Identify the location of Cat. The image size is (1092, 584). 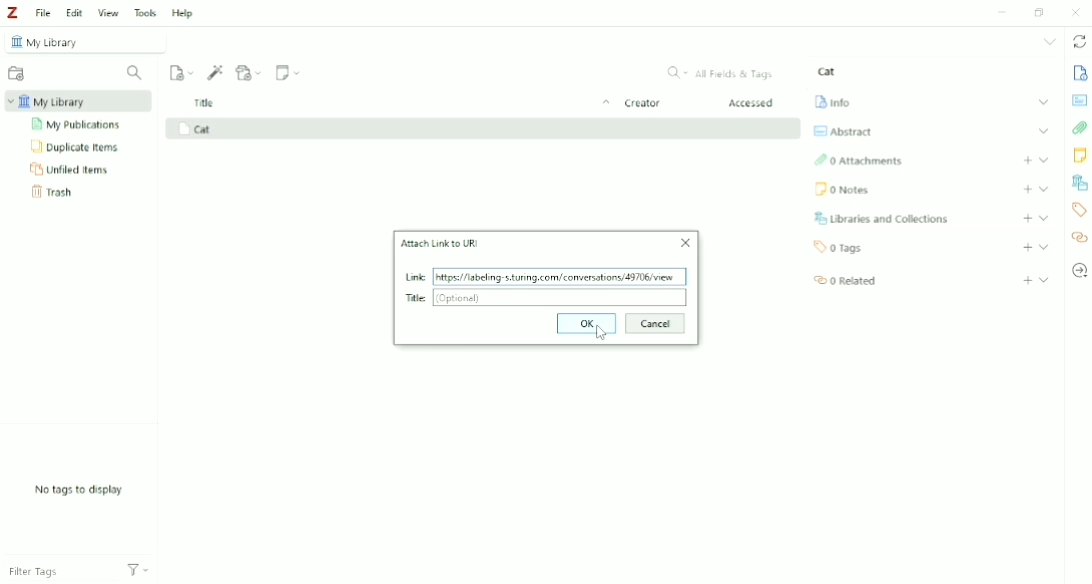
(827, 71).